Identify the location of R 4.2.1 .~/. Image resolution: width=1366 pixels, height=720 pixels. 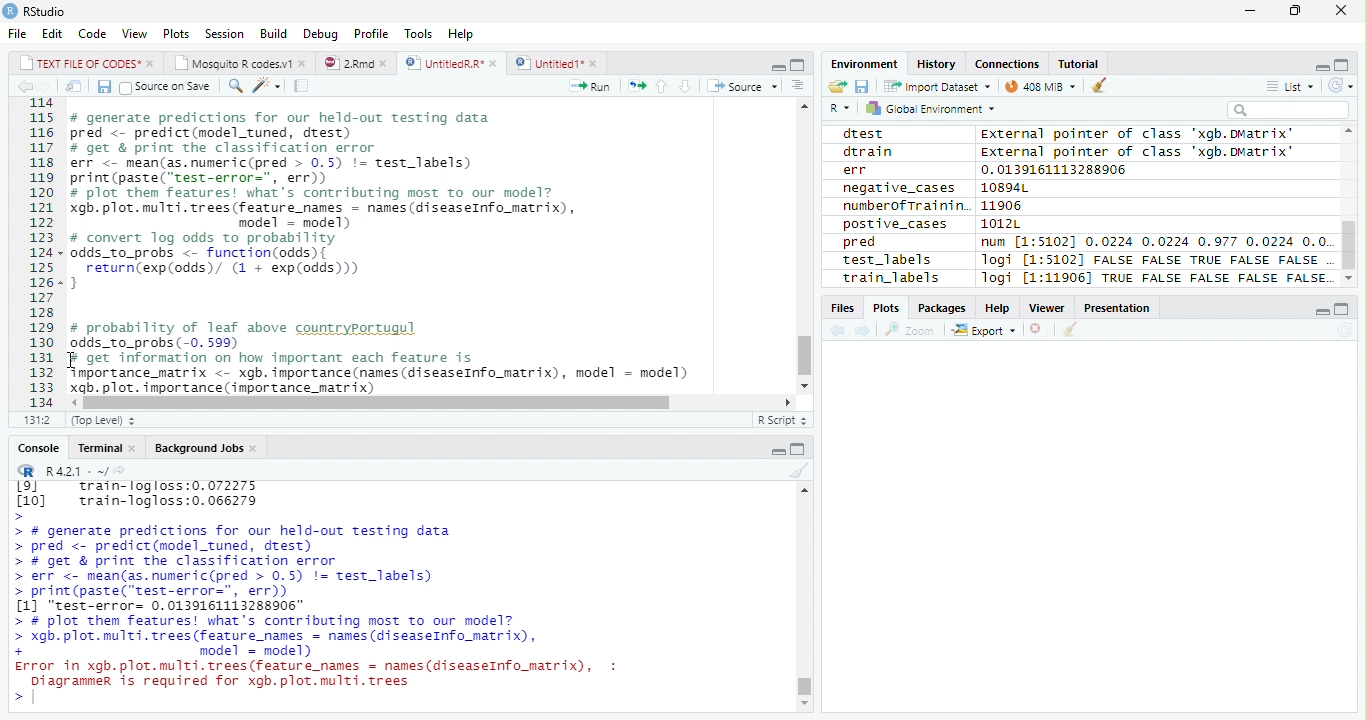
(74, 470).